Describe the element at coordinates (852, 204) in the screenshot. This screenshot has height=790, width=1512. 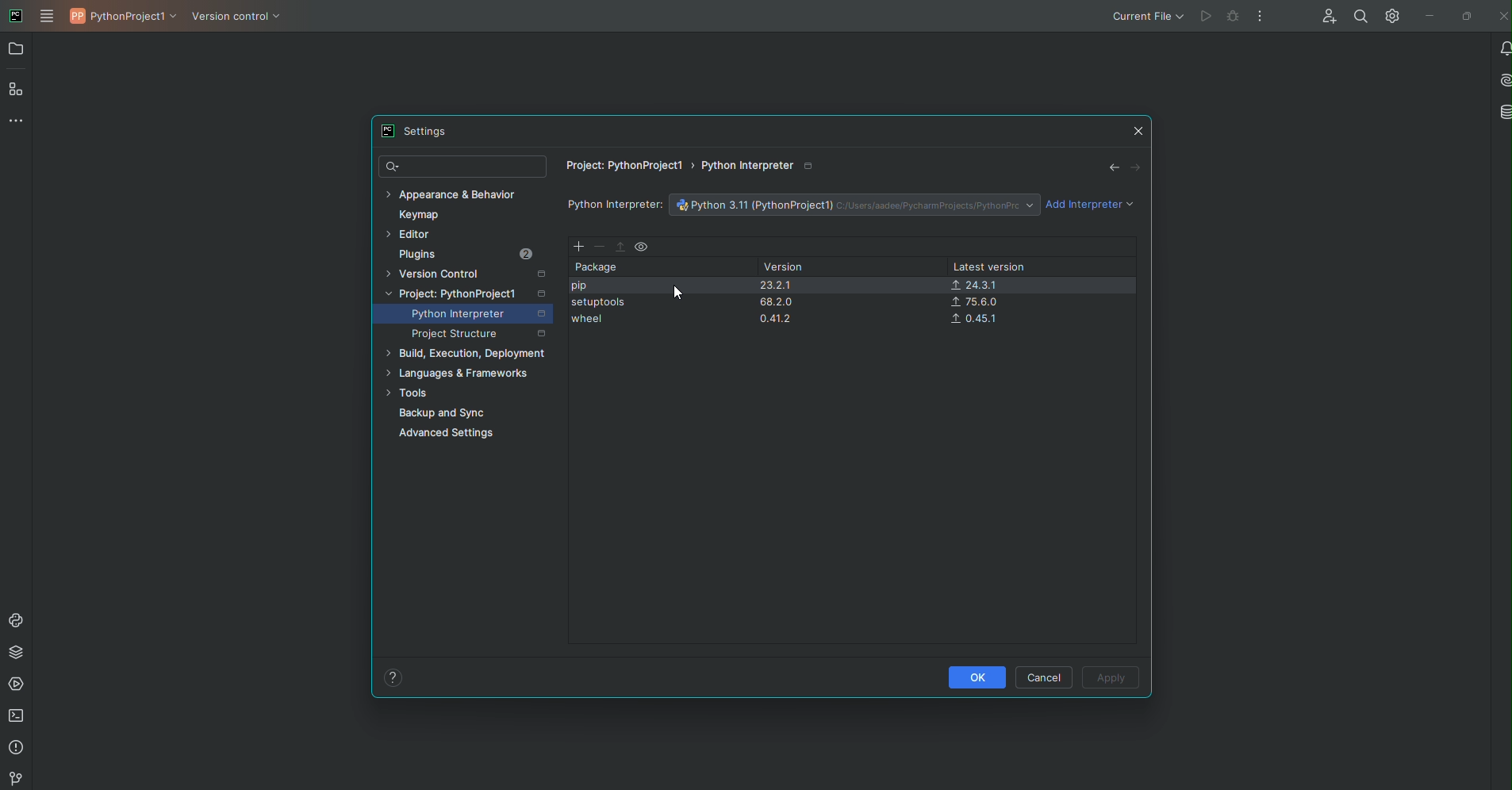
I see `File name` at that location.